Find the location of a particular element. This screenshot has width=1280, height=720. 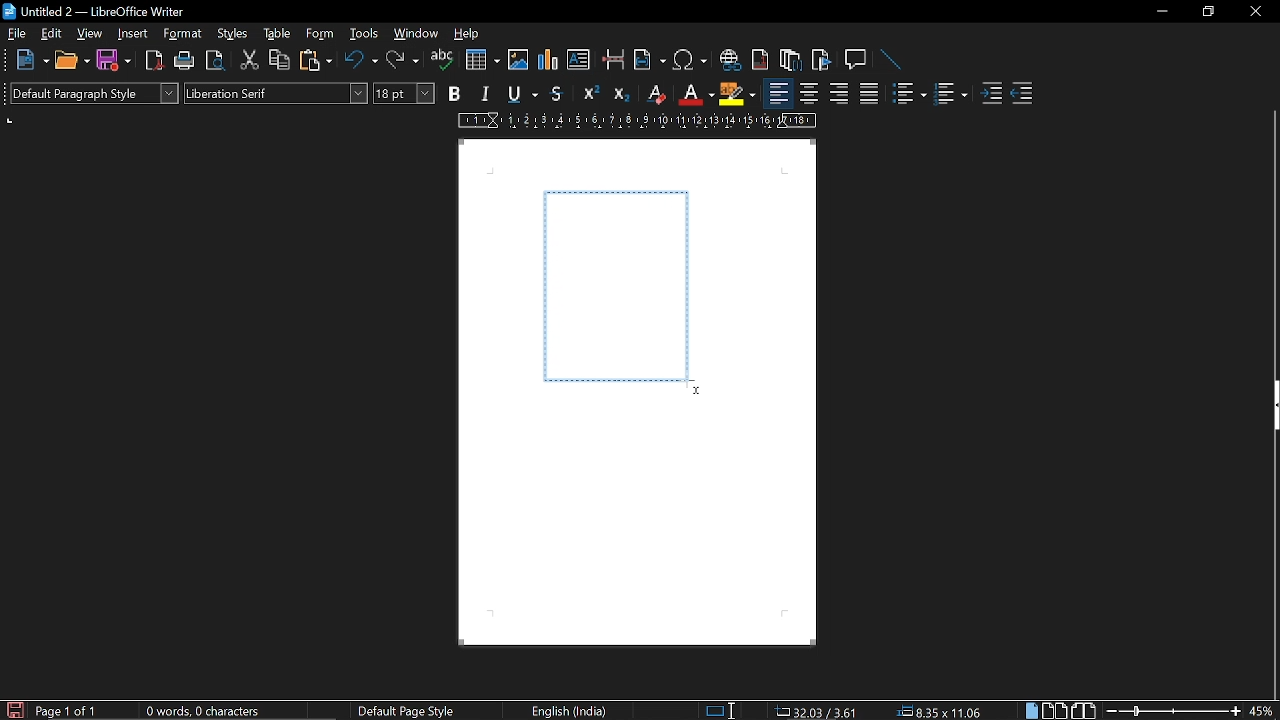

align center is located at coordinates (809, 95).